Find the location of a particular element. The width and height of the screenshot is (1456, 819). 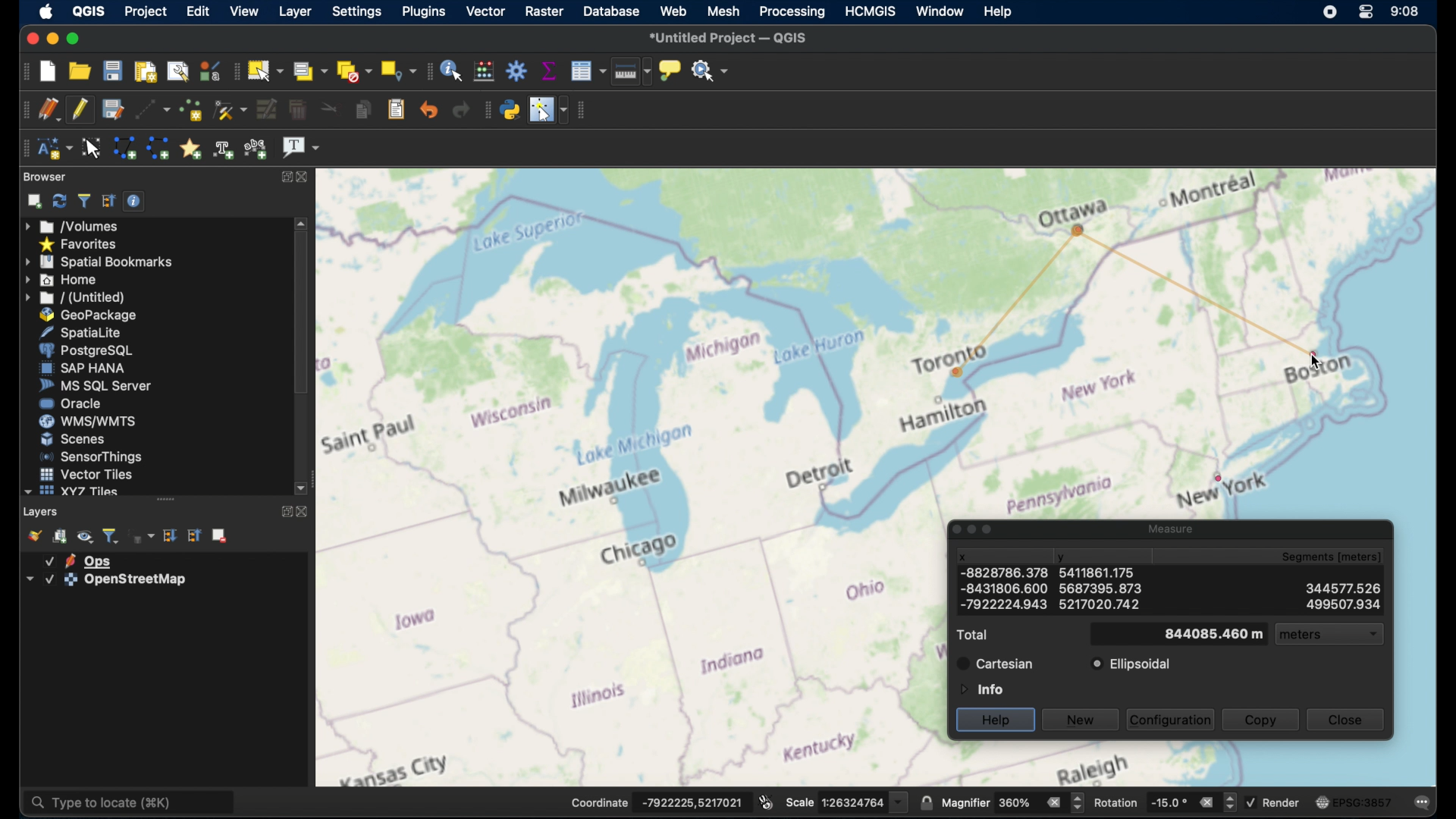

help is located at coordinates (996, 11).